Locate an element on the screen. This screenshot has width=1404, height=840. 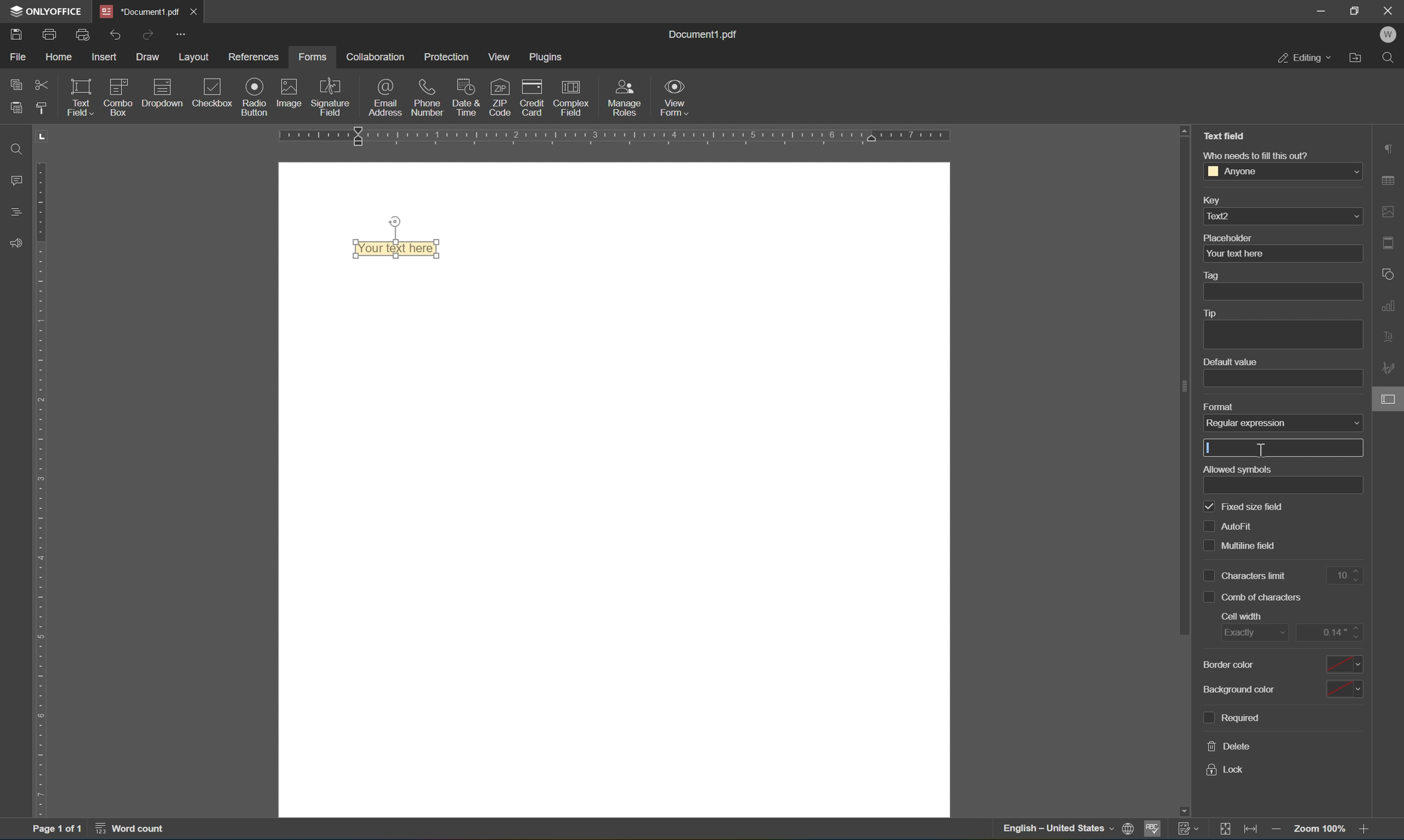
protection is located at coordinates (448, 57).